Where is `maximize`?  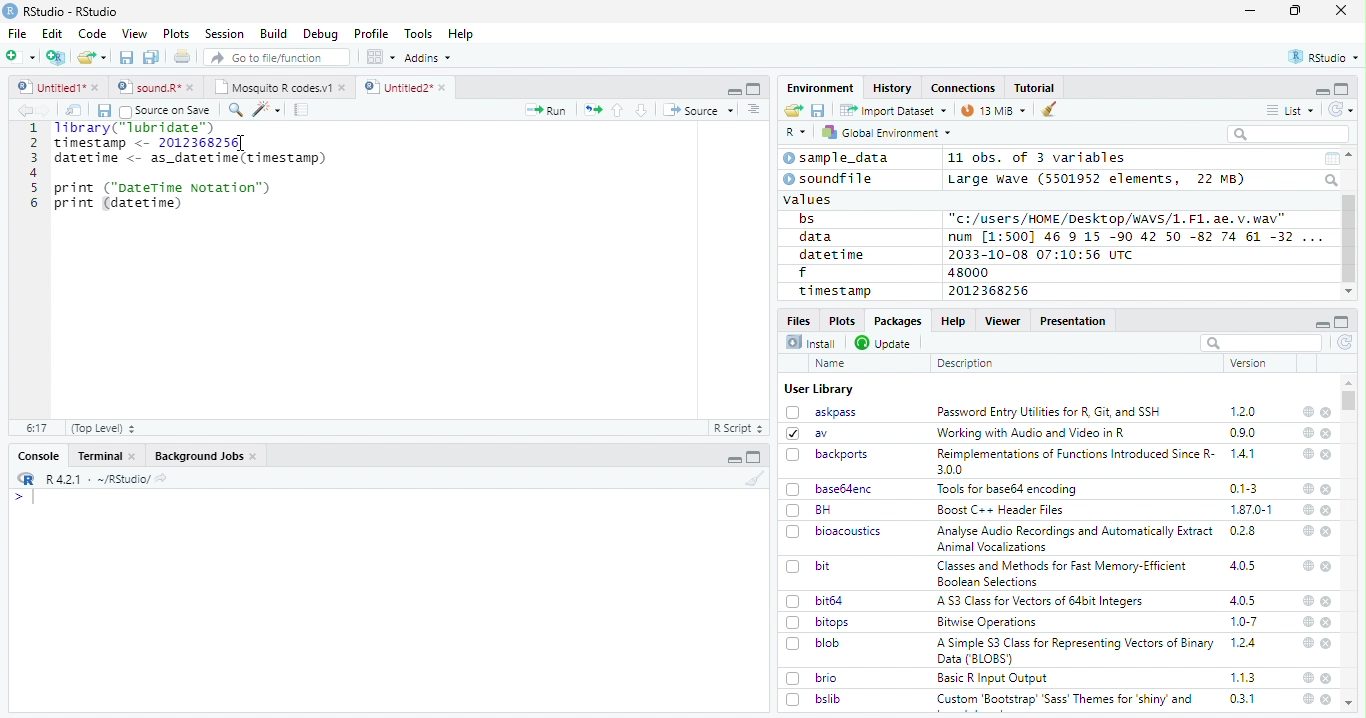 maximize is located at coordinates (1295, 11).